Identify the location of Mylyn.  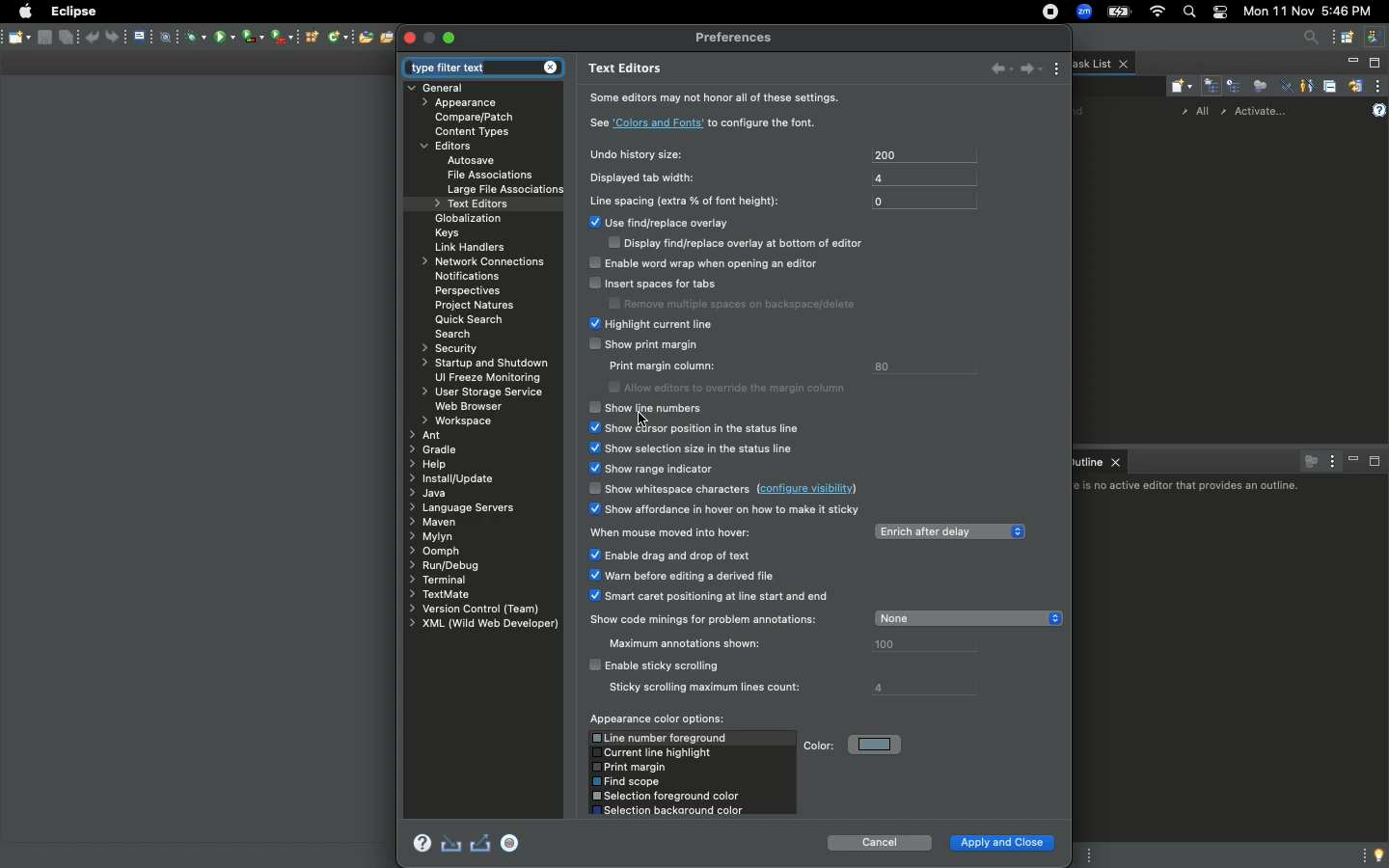
(432, 537).